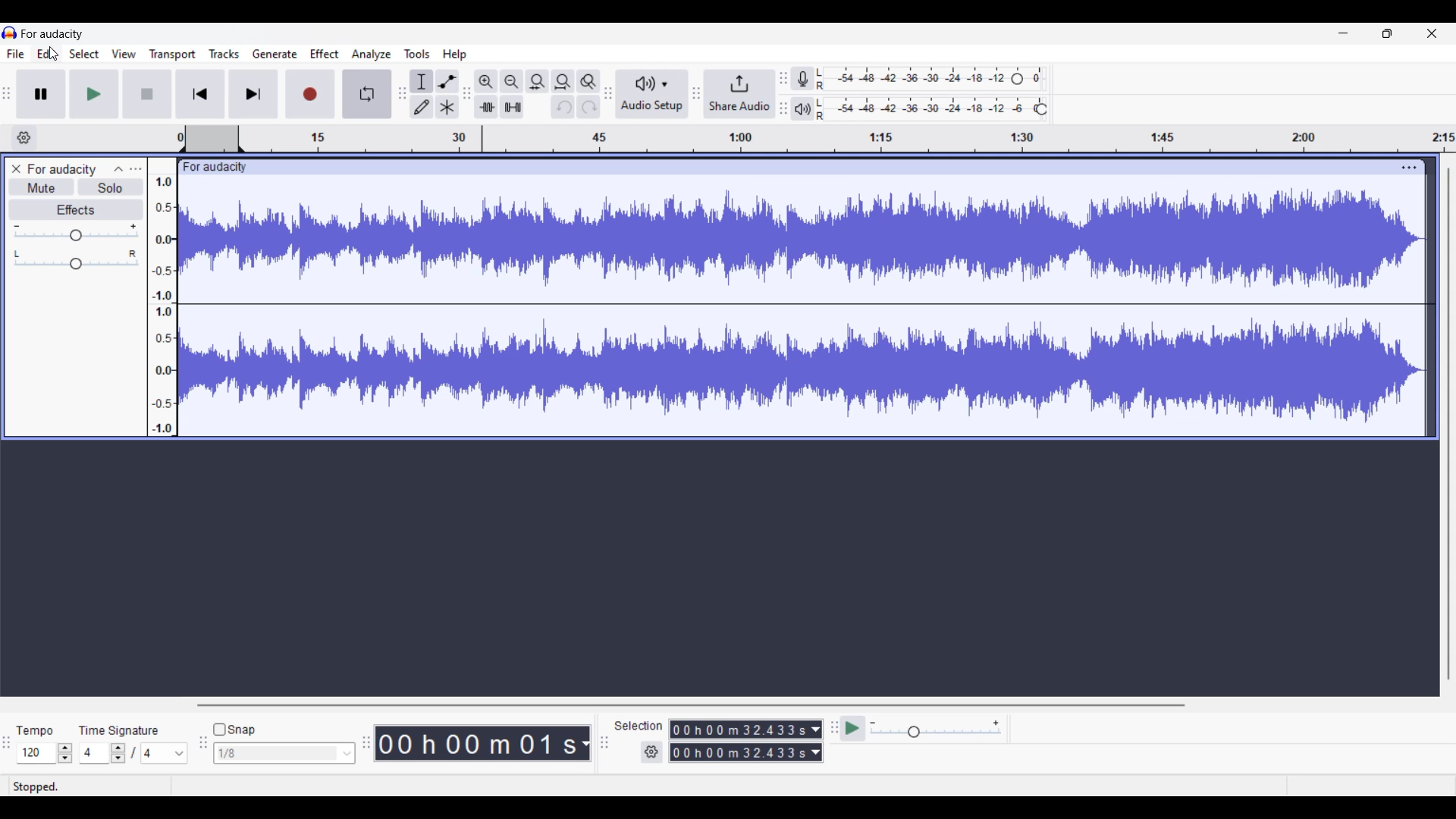 The width and height of the screenshot is (1456, 819). I want to click on Tools menu, so click(417, 54).